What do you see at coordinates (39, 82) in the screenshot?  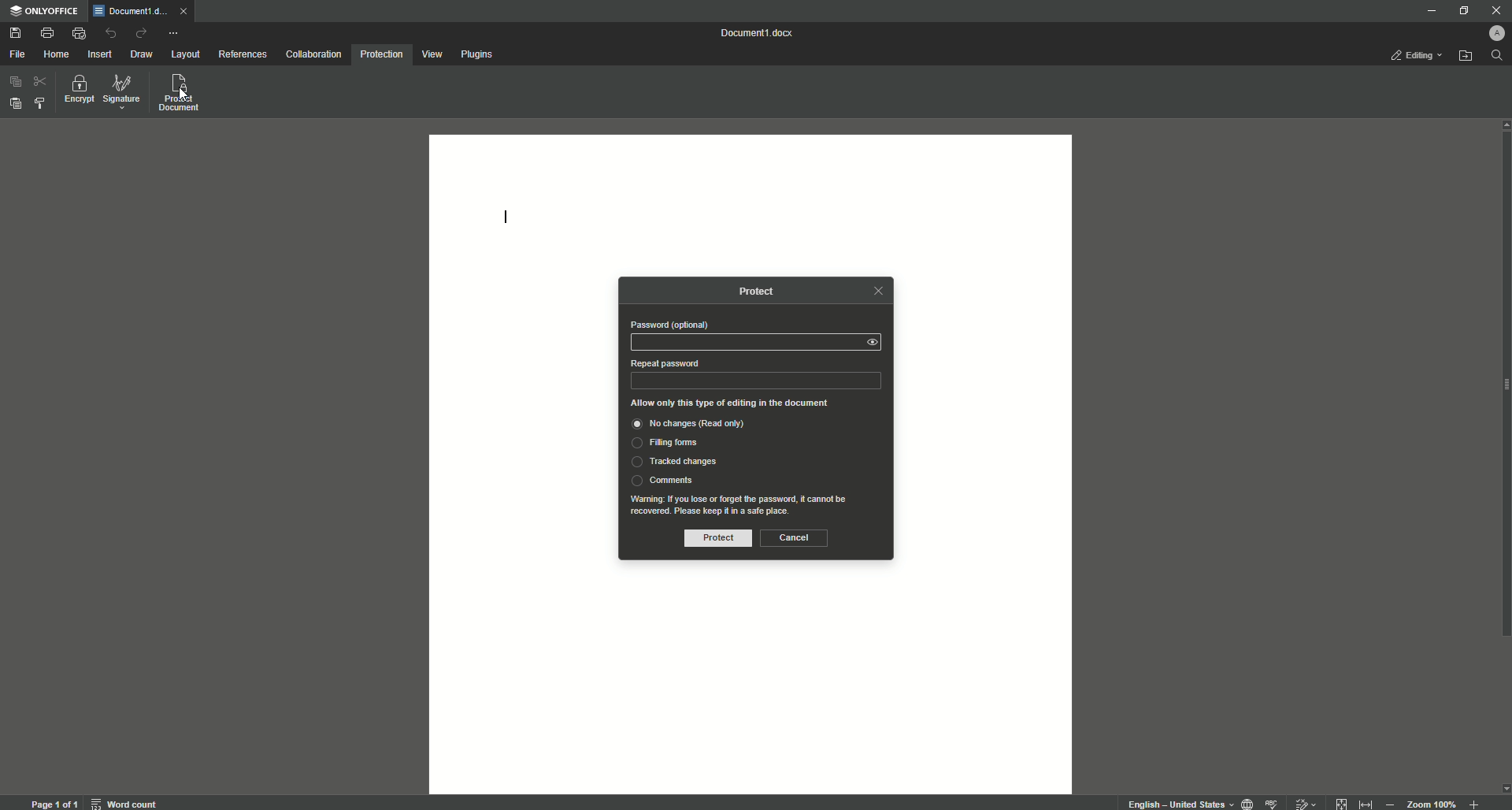 I see `Cut` at bounding box center [39, 82].